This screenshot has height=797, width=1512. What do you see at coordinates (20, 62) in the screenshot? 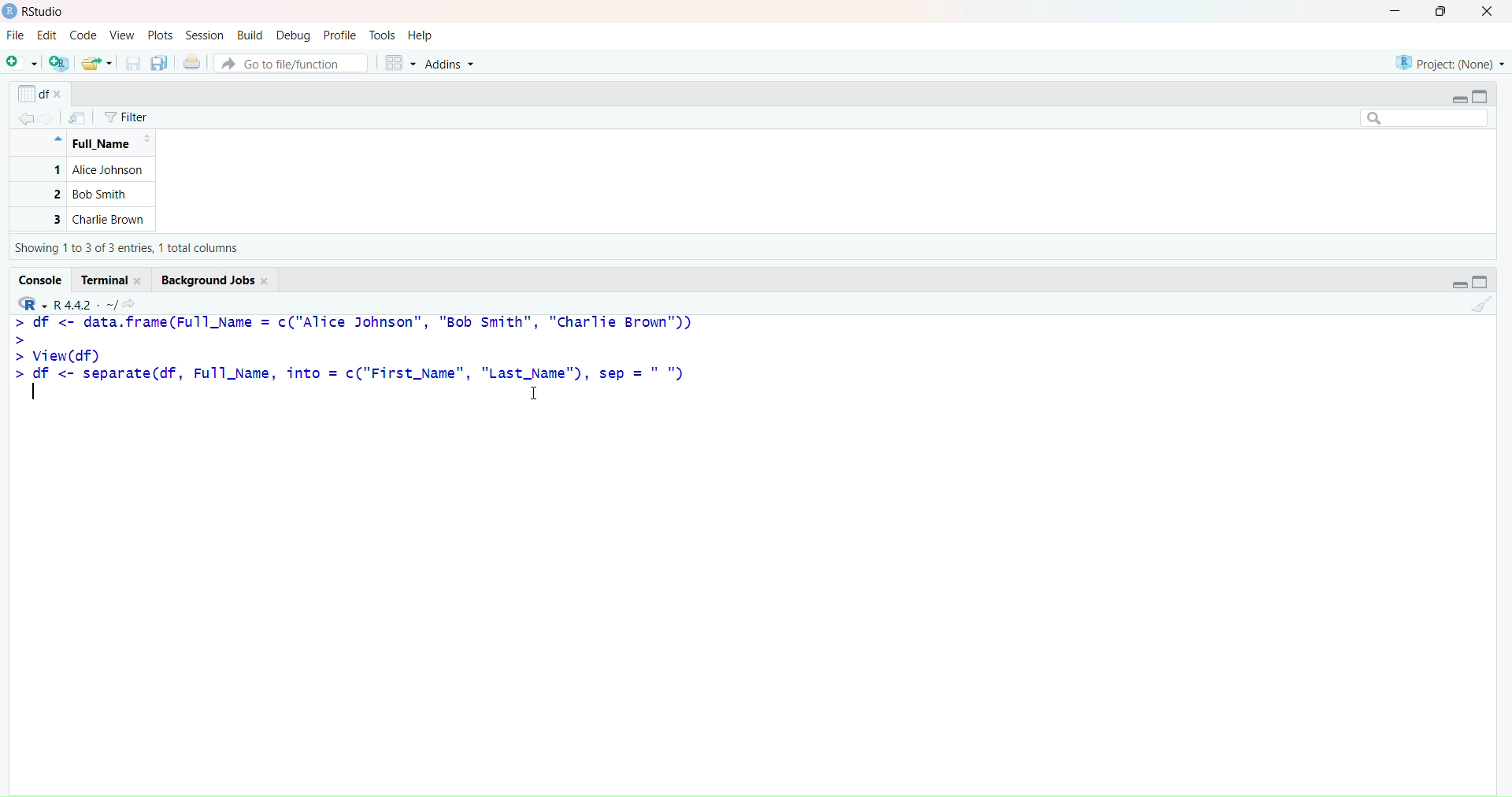
I see `New File` at bounding box center [20, 62].